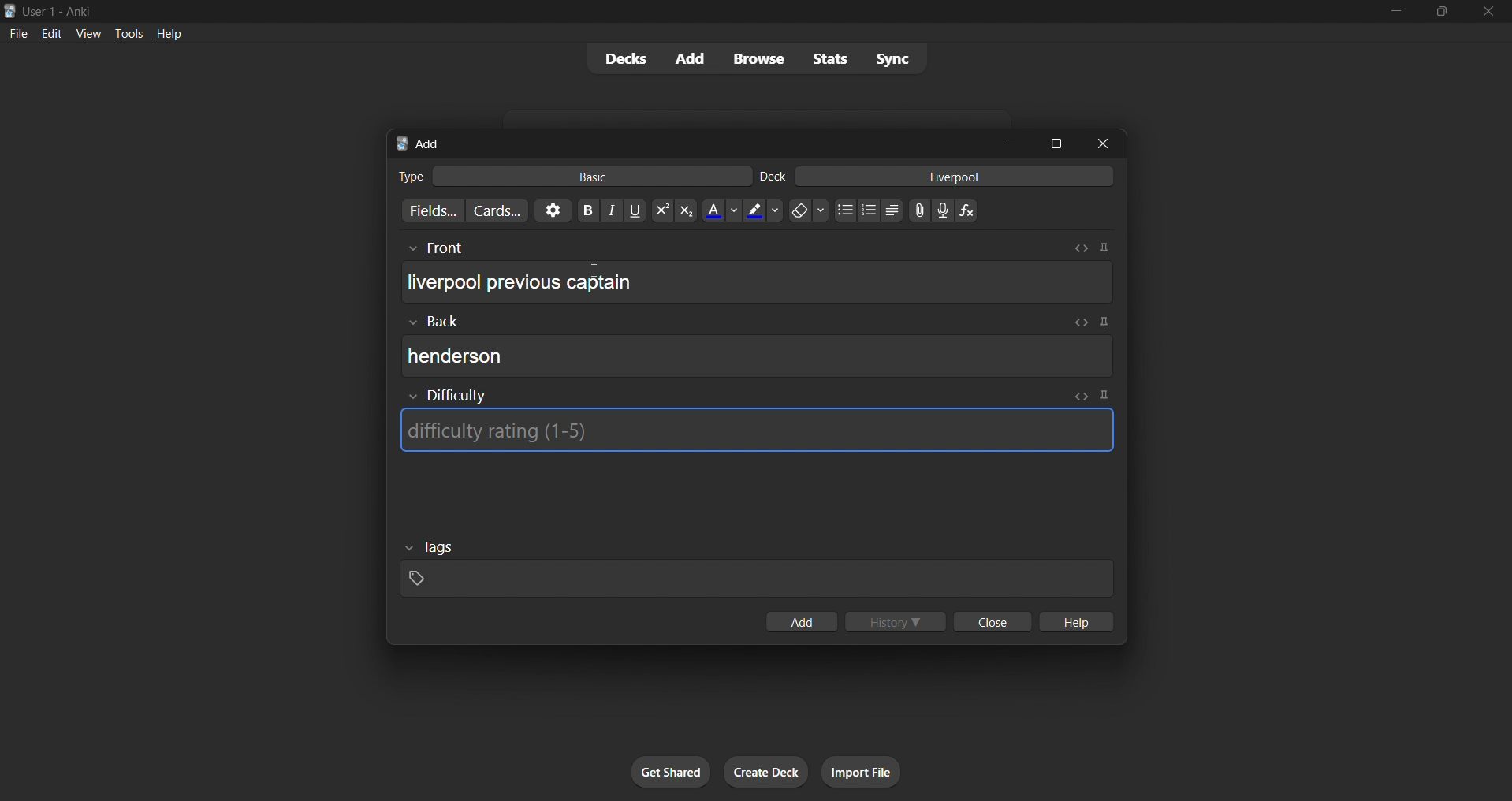 The height and width of the screenshot is (801, 1512). What do you see at coordinates (689, 141) in the screenshot?
I see `add card title bar` at bounding box center [689, 141].